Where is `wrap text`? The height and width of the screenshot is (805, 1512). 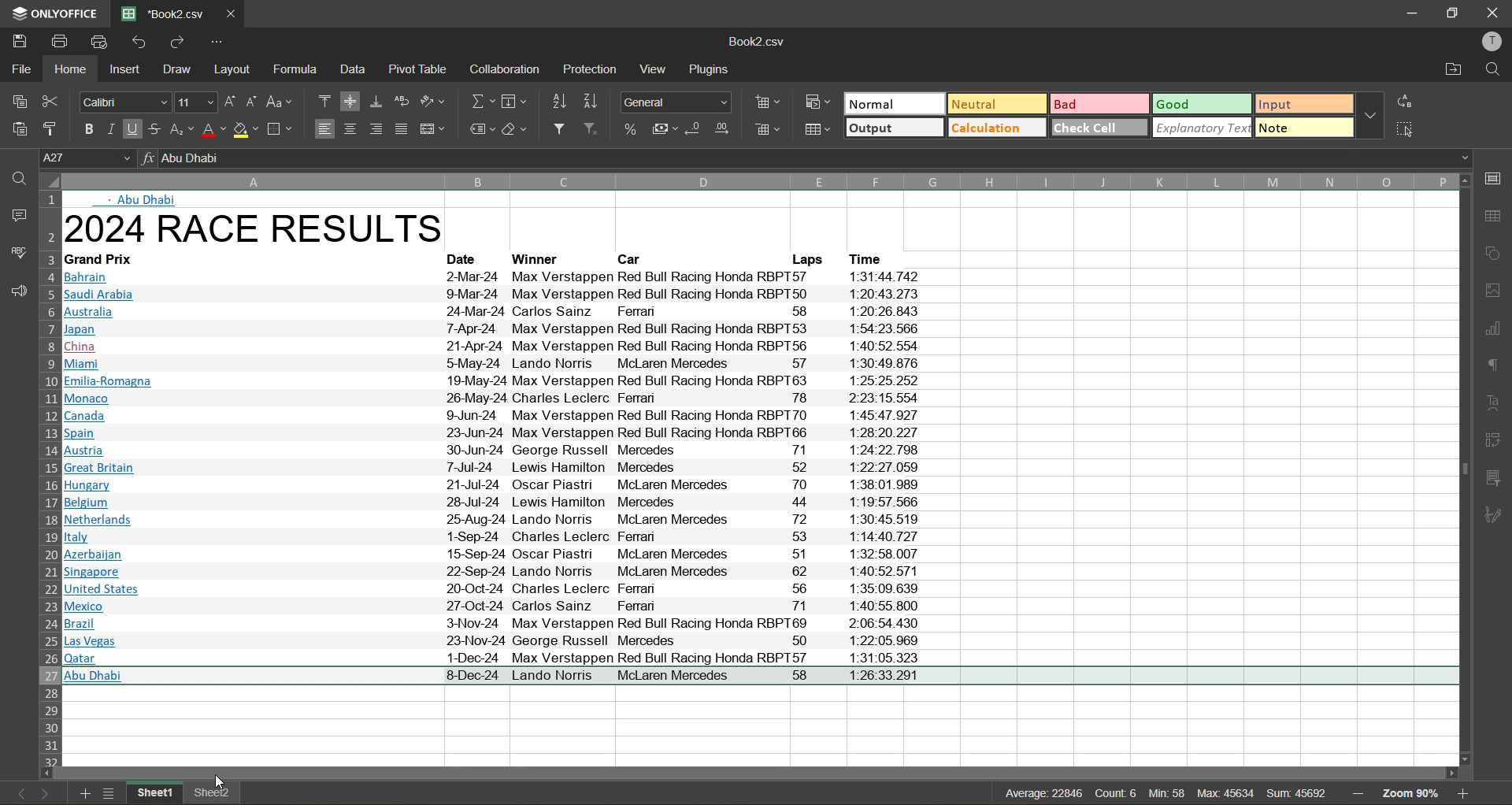
wrap text is located at coordinates (402, 101).